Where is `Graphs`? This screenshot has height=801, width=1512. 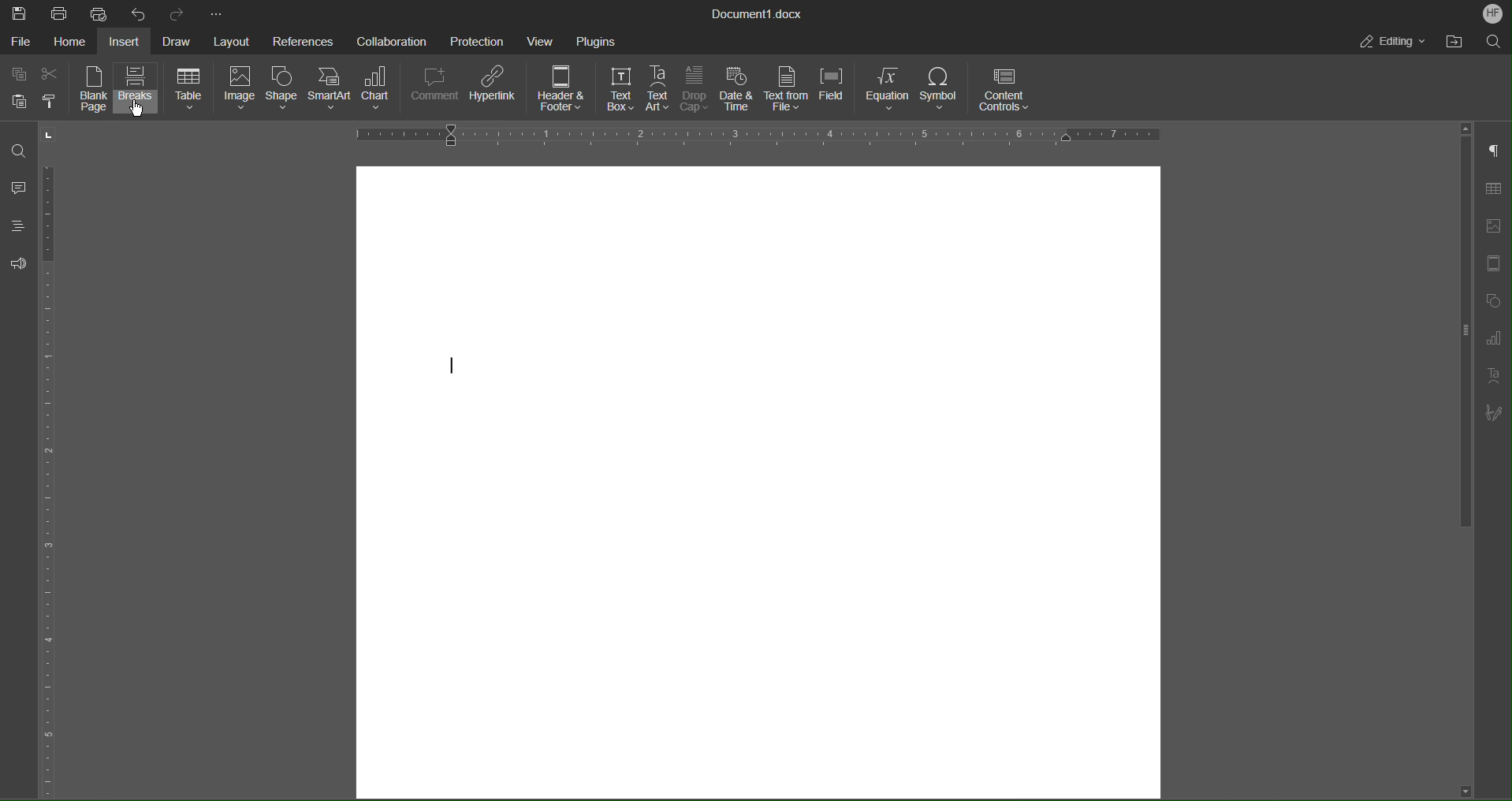
Graphs is located at coordinates (1492, 339).